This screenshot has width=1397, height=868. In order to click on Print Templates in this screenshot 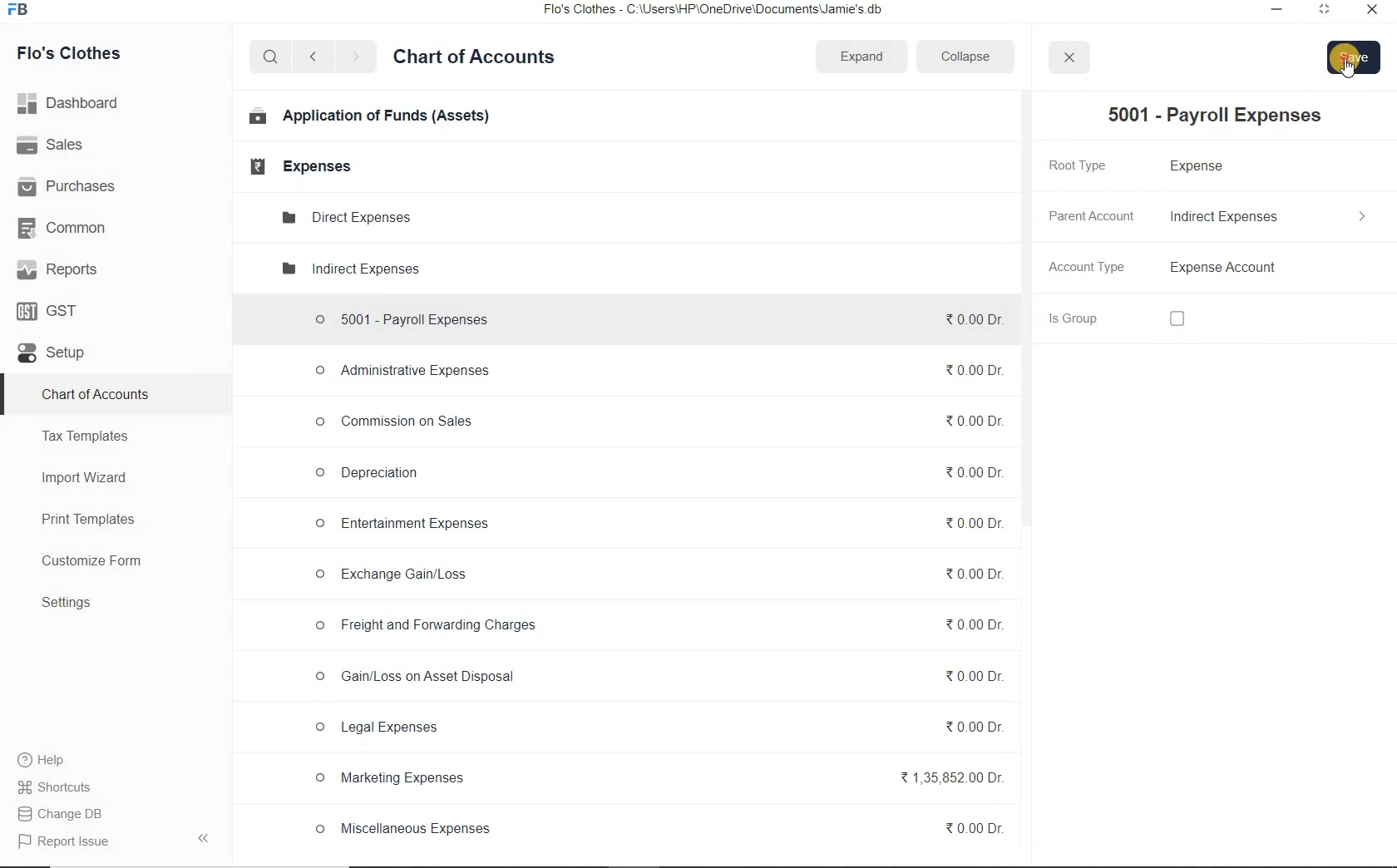, I will do `click(88, 520)`.